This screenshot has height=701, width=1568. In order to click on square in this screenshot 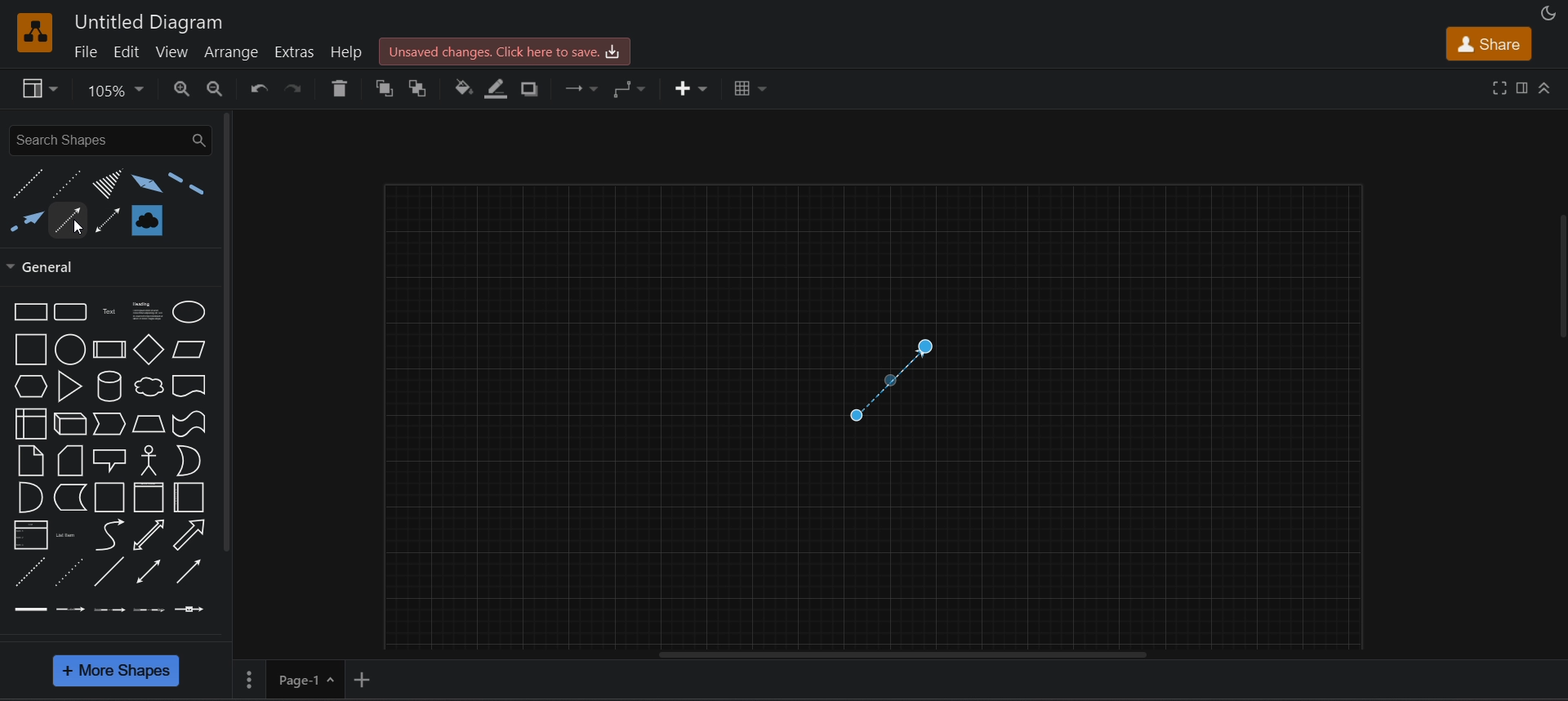, I will do `click(30, 349)`.